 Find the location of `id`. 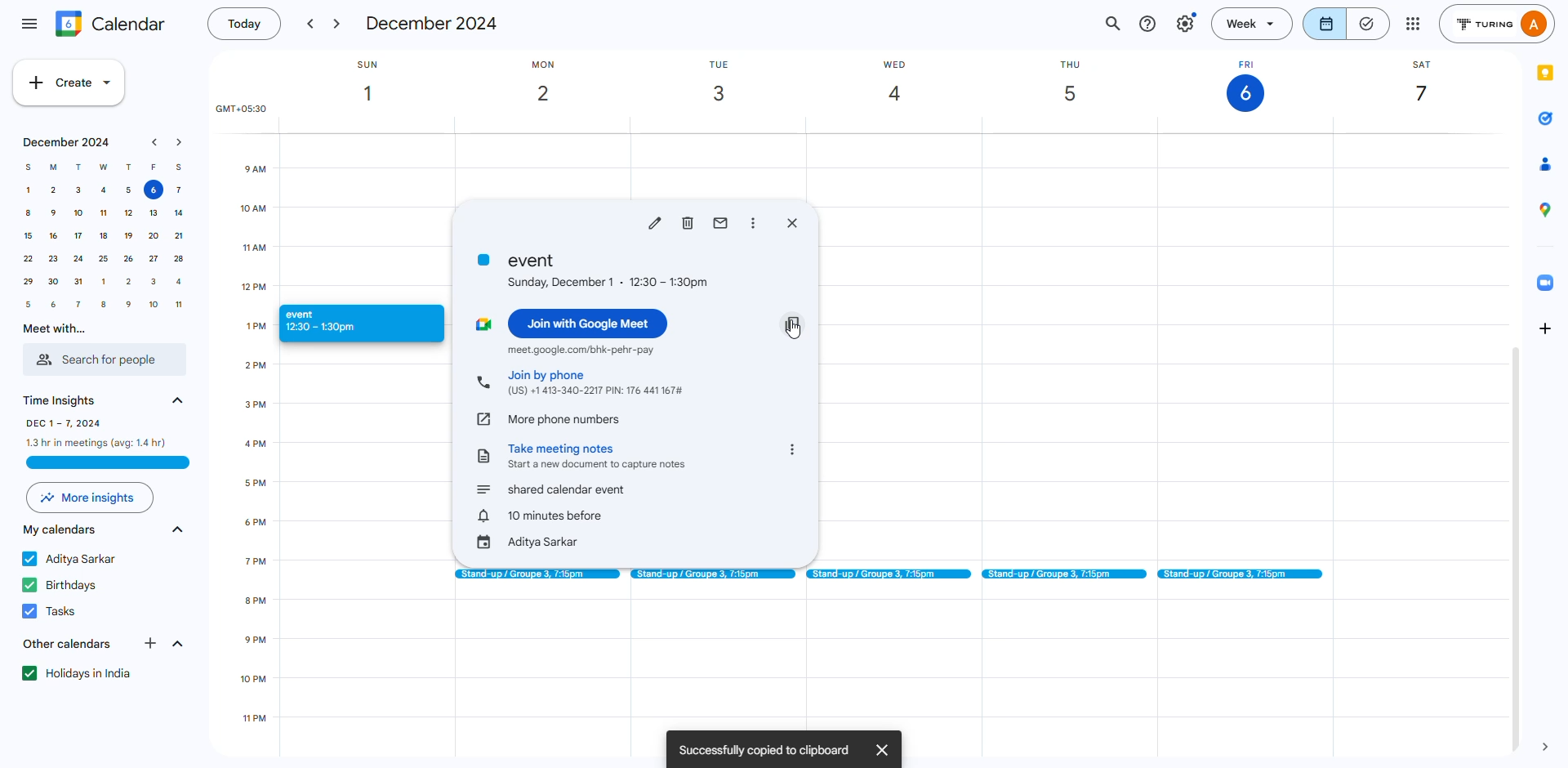

id is located at coordinates (529, 543).